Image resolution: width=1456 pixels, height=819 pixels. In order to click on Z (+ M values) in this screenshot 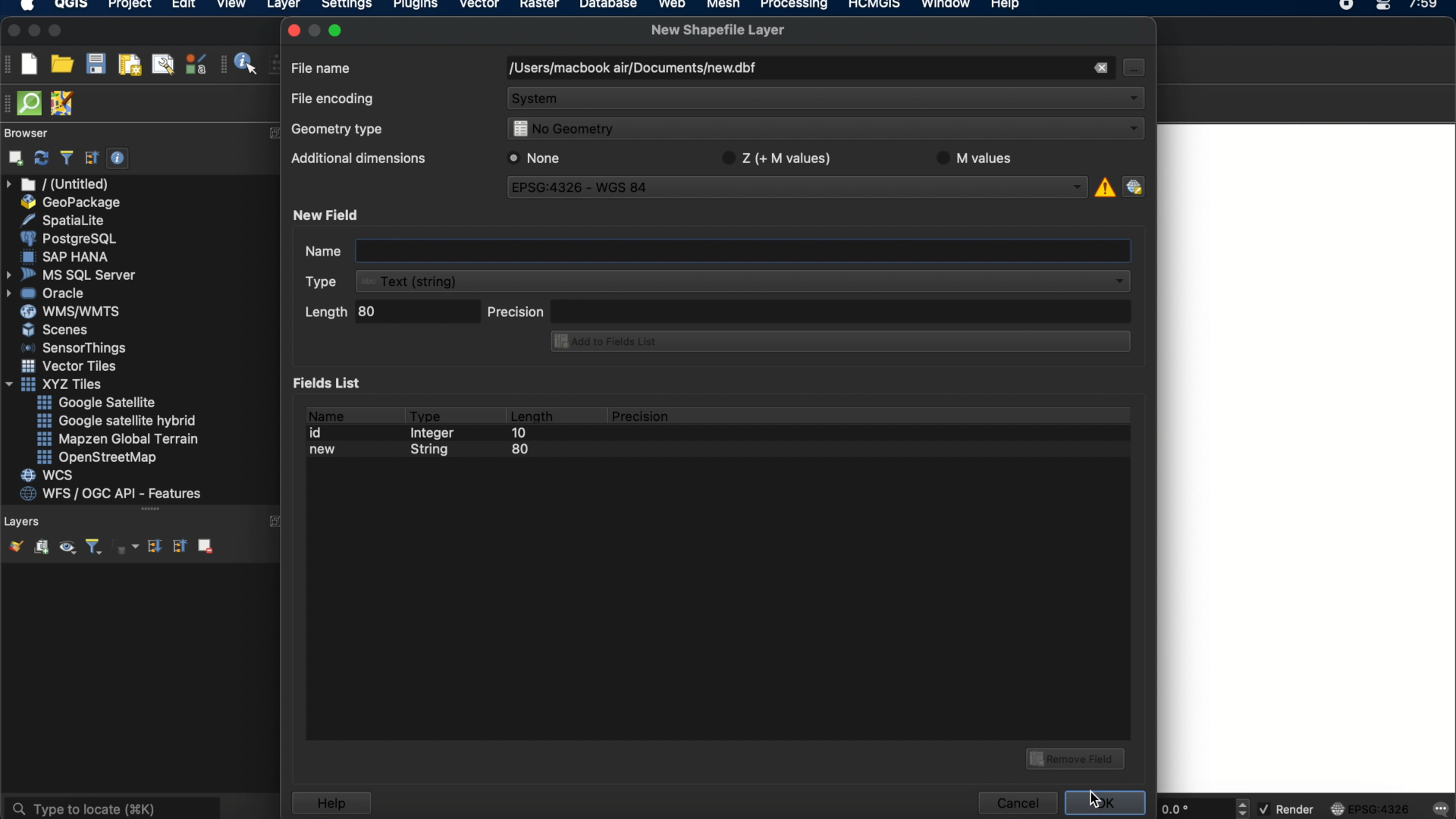, I will do `click(780, 156)`.